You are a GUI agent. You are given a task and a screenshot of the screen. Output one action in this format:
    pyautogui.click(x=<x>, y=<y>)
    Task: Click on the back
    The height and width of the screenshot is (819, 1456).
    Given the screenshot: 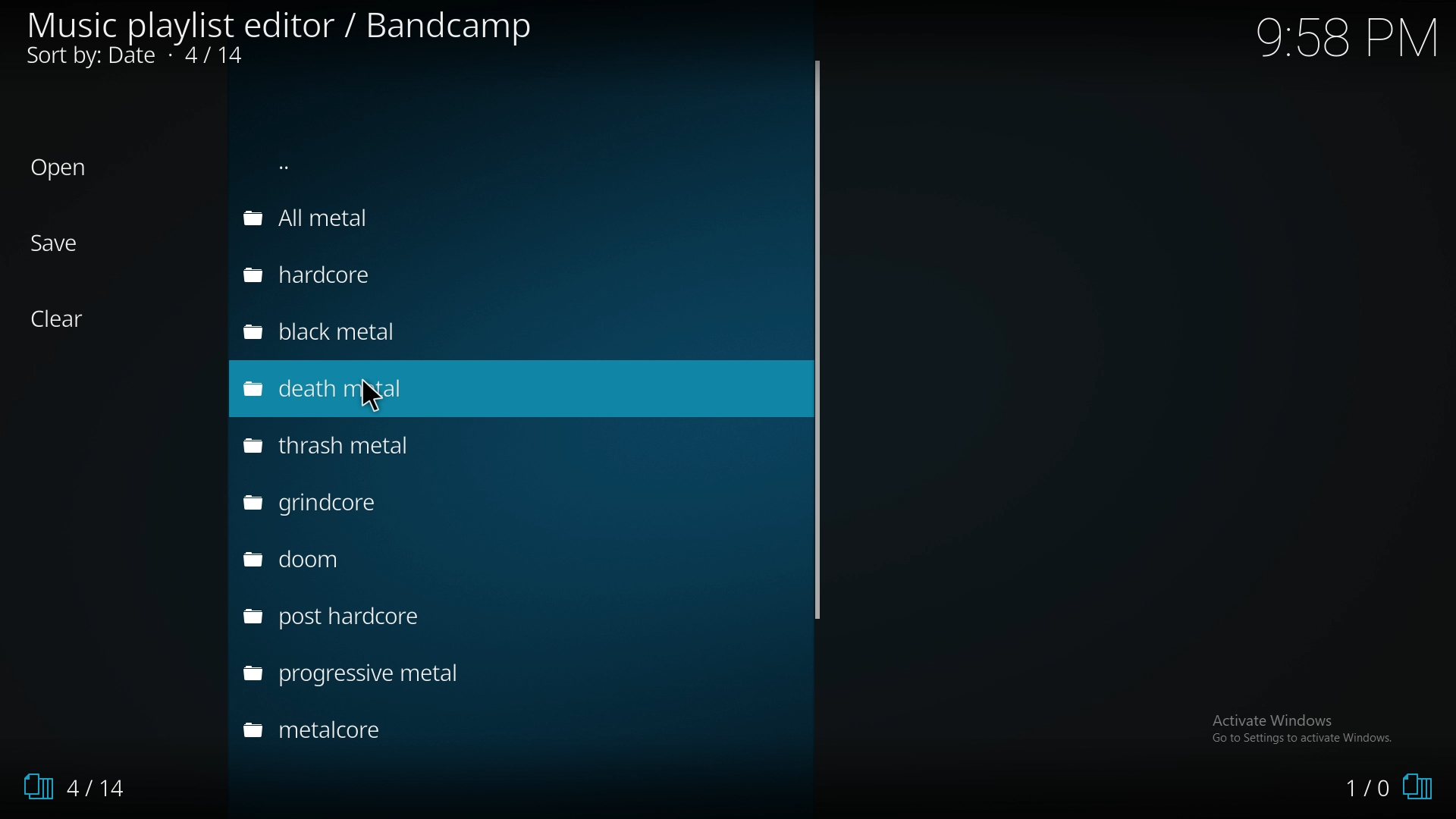 What is the action you would take?
    pyautogui.click(x=403, y=167)
    